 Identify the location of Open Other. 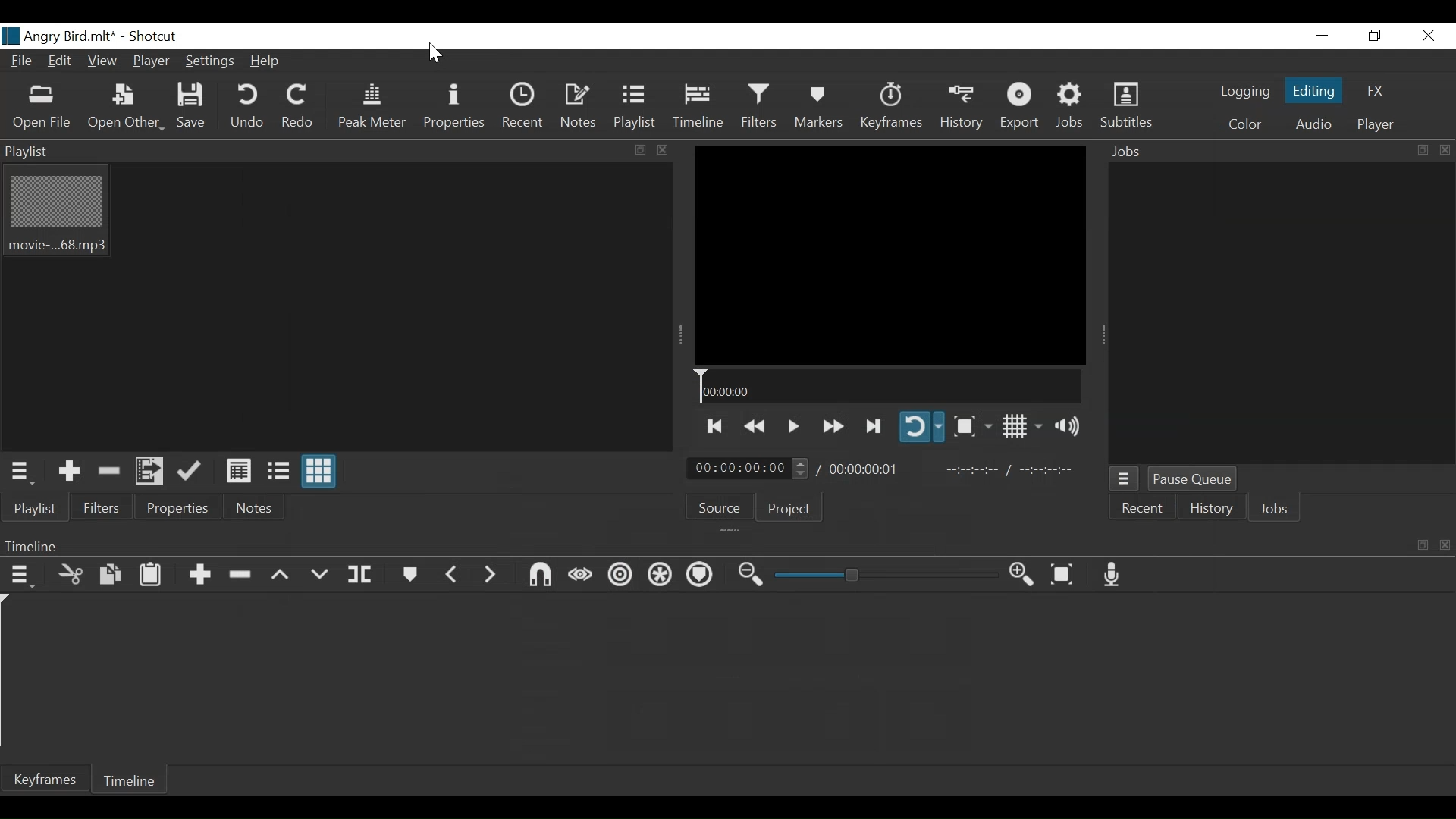
(125, 108).